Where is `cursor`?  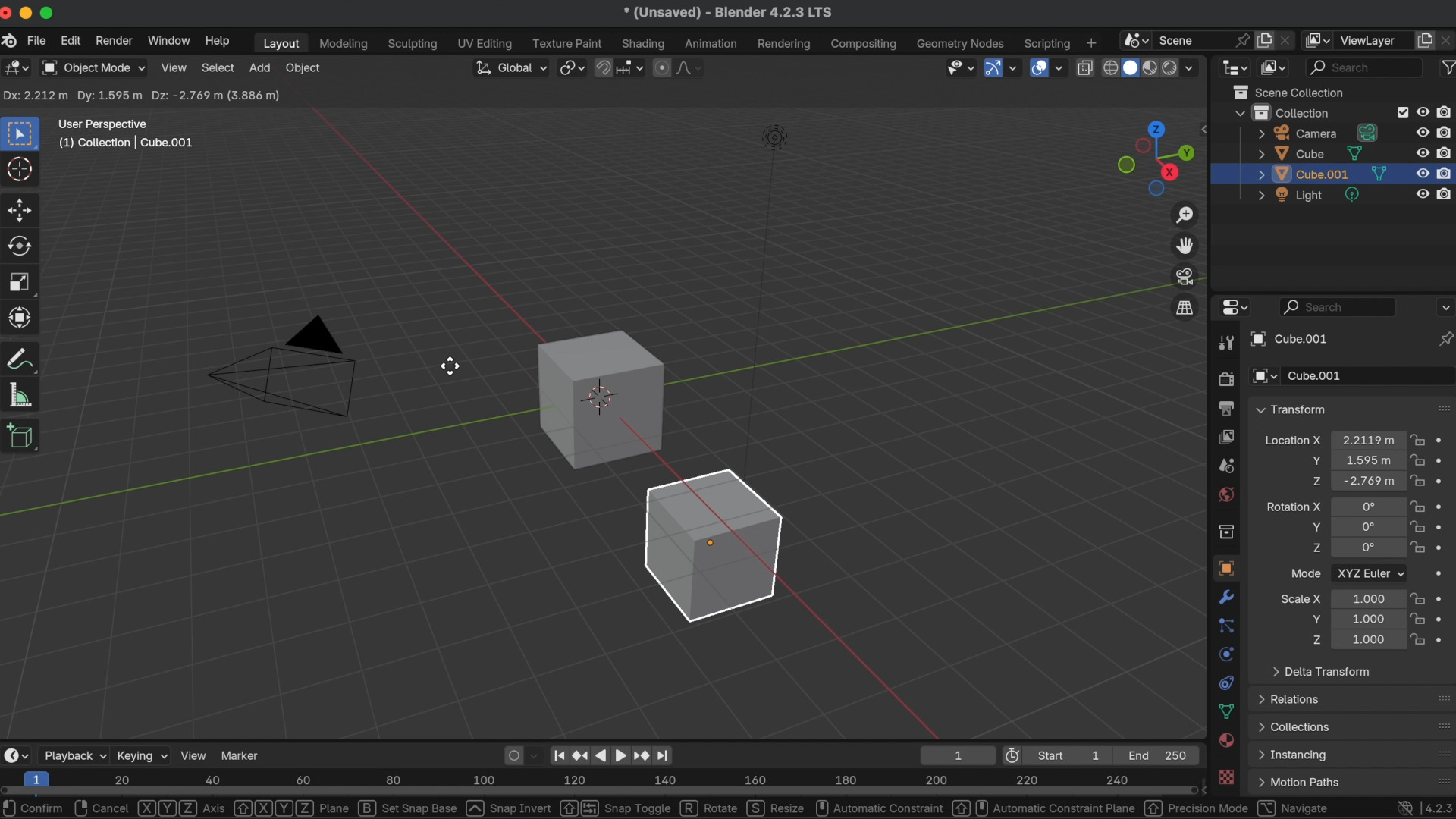 cursor is located at coordinates (450, 367).